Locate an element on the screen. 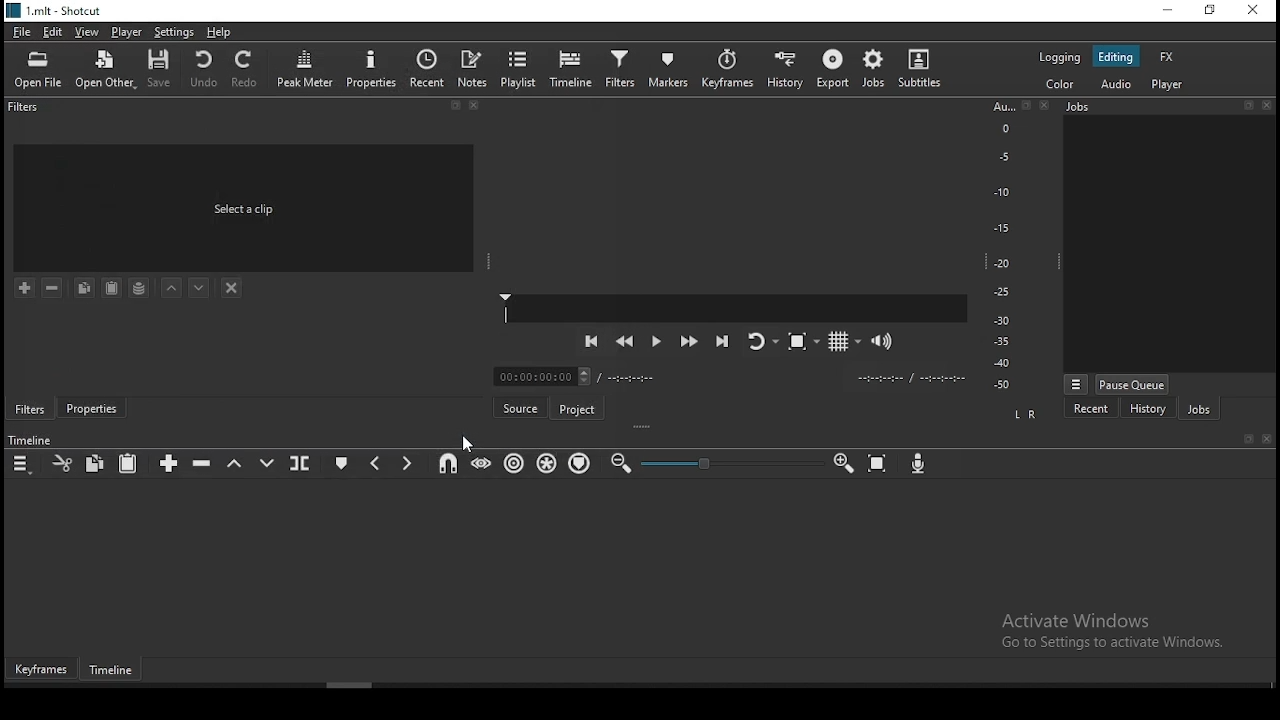 This screenshot has height=720, width=1280. previous marker is located at coordinates (377, 460).